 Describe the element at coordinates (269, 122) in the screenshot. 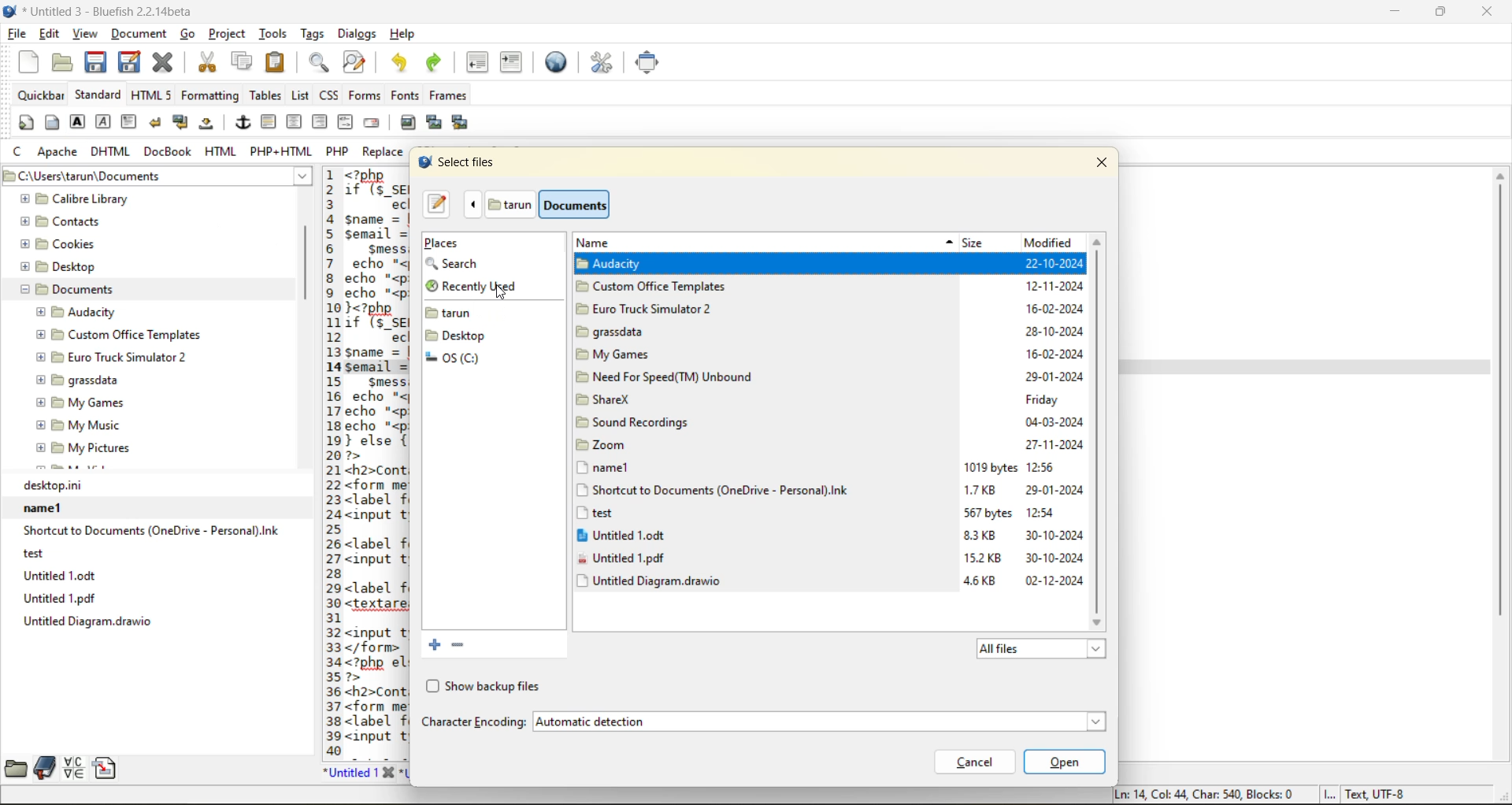

I see `horizontal rule` at that location.